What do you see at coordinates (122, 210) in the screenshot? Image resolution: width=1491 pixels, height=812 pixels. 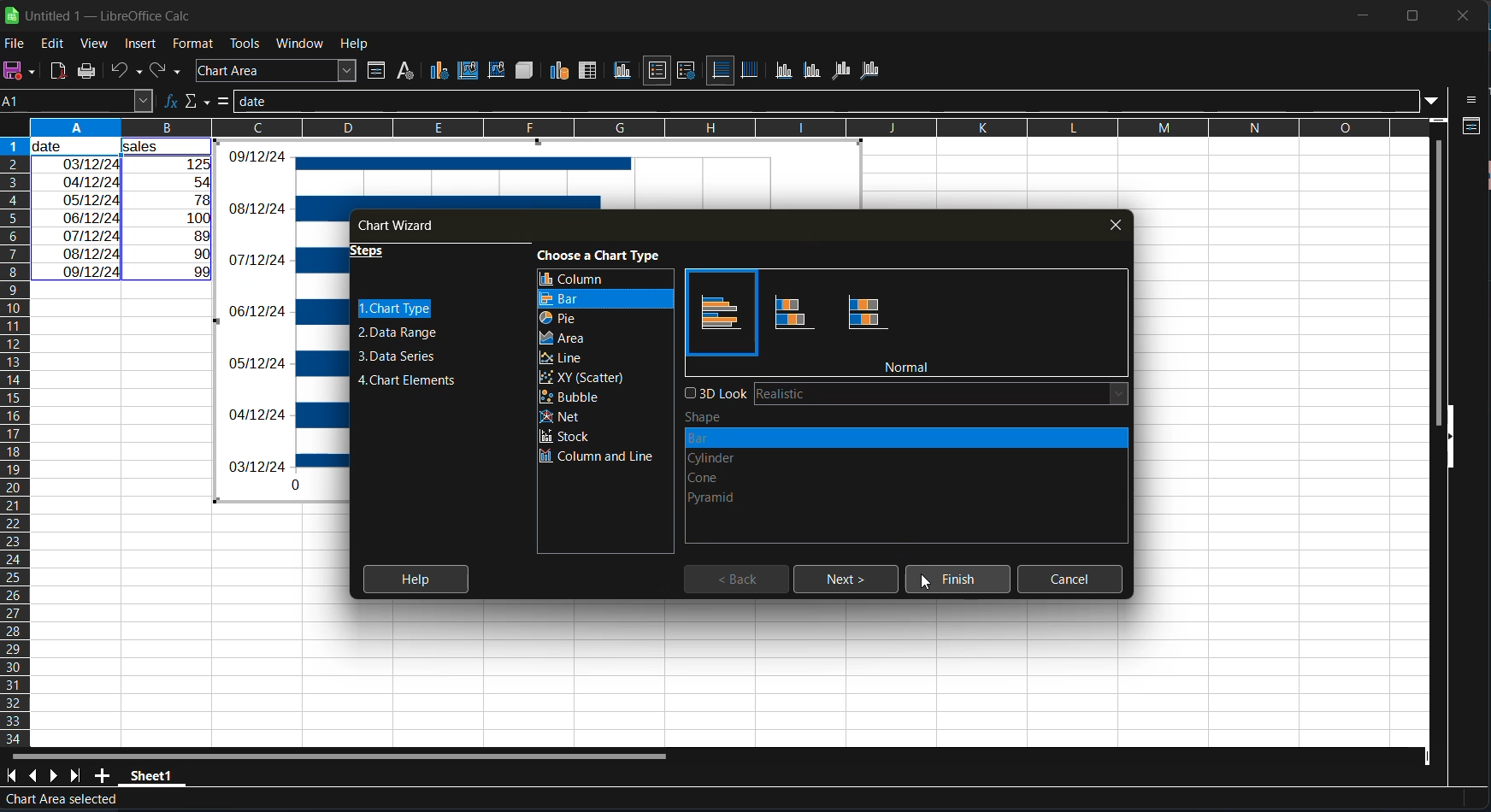 I see `selected range` at bounding box center [122, 210].